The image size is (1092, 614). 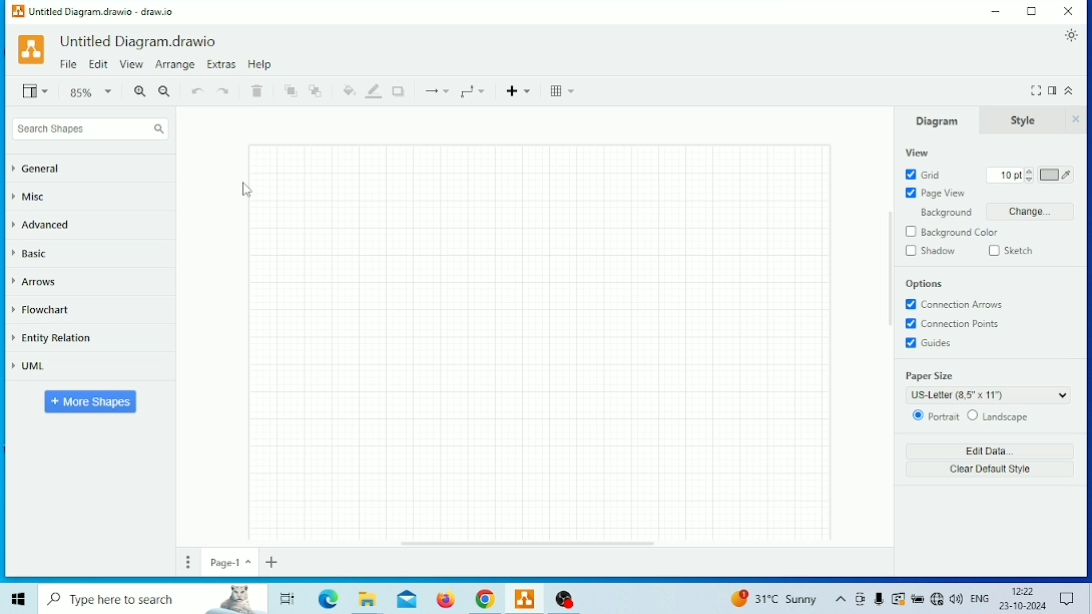 What do you see at coordinates (198, 92) in the screenshot?
I see `Undo` at bounding box center [198, 92].